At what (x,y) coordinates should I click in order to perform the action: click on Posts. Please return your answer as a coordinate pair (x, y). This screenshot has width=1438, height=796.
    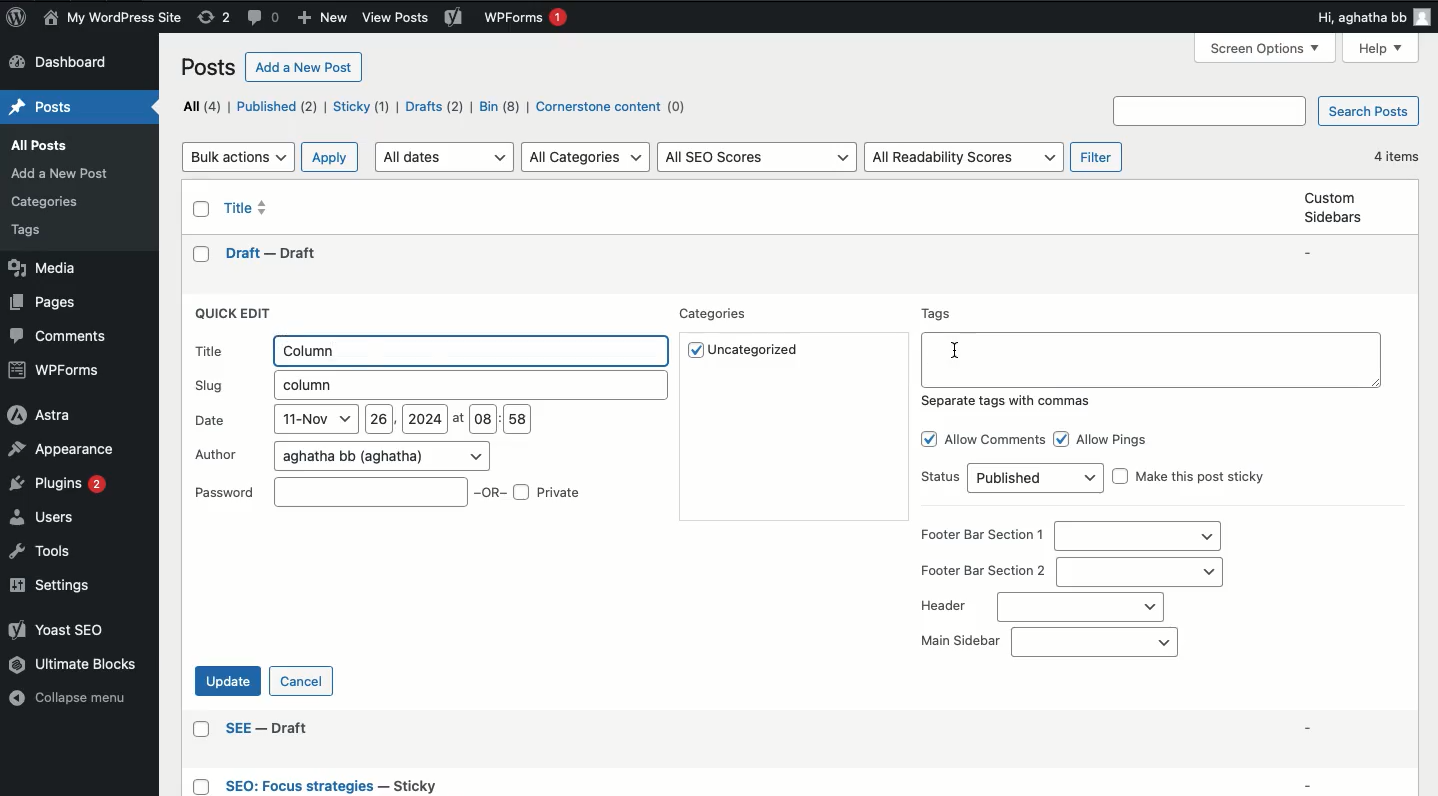
    Looking at the image, I should click on (206, 70).